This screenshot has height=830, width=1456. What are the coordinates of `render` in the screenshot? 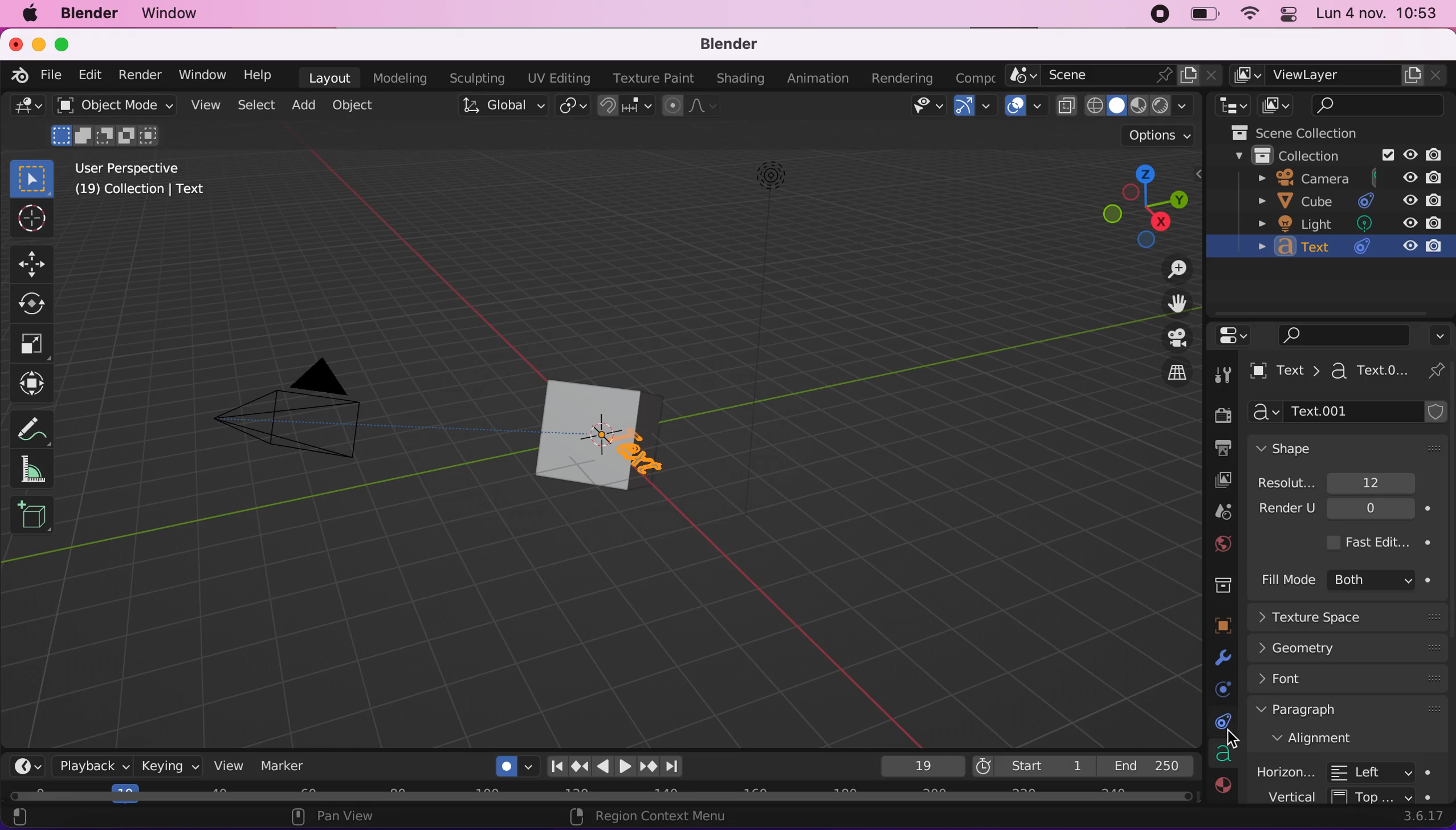 It's located at (141, 75).